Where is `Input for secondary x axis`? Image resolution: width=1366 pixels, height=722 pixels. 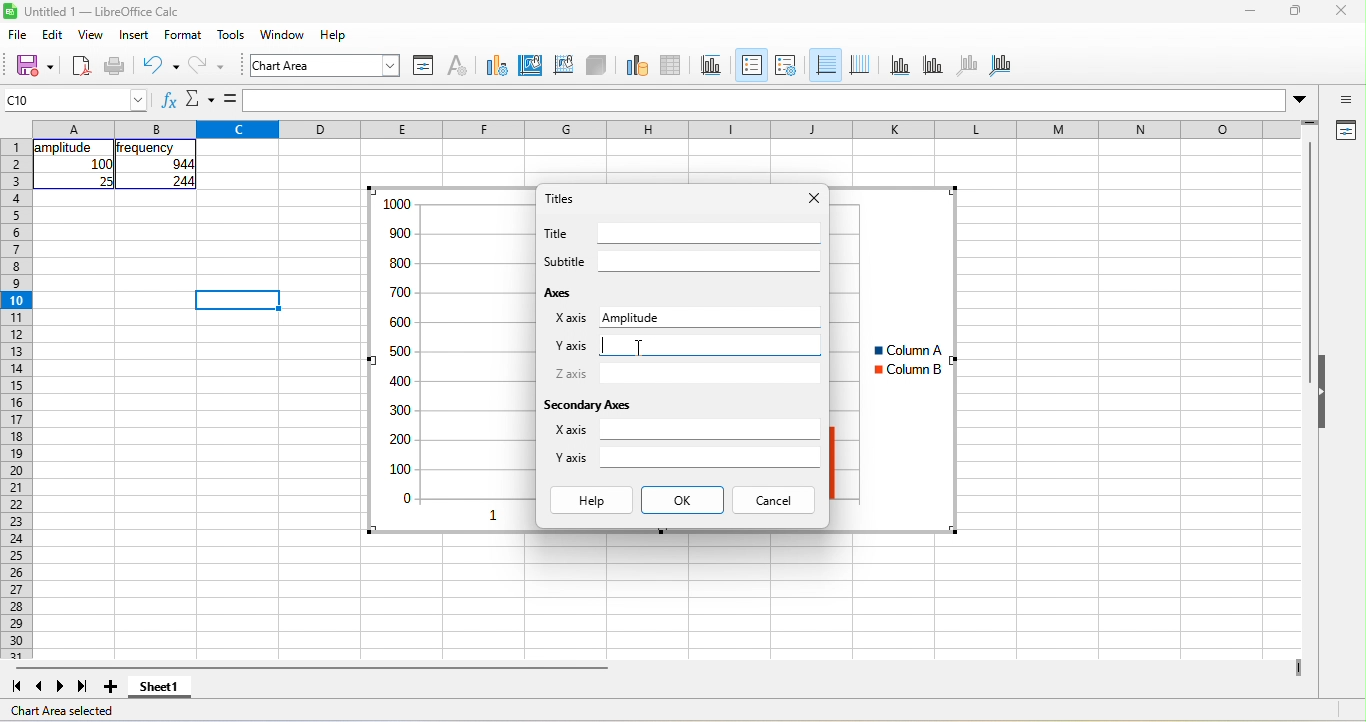
Input for secondary x axis is located at coordinates (710, 429).